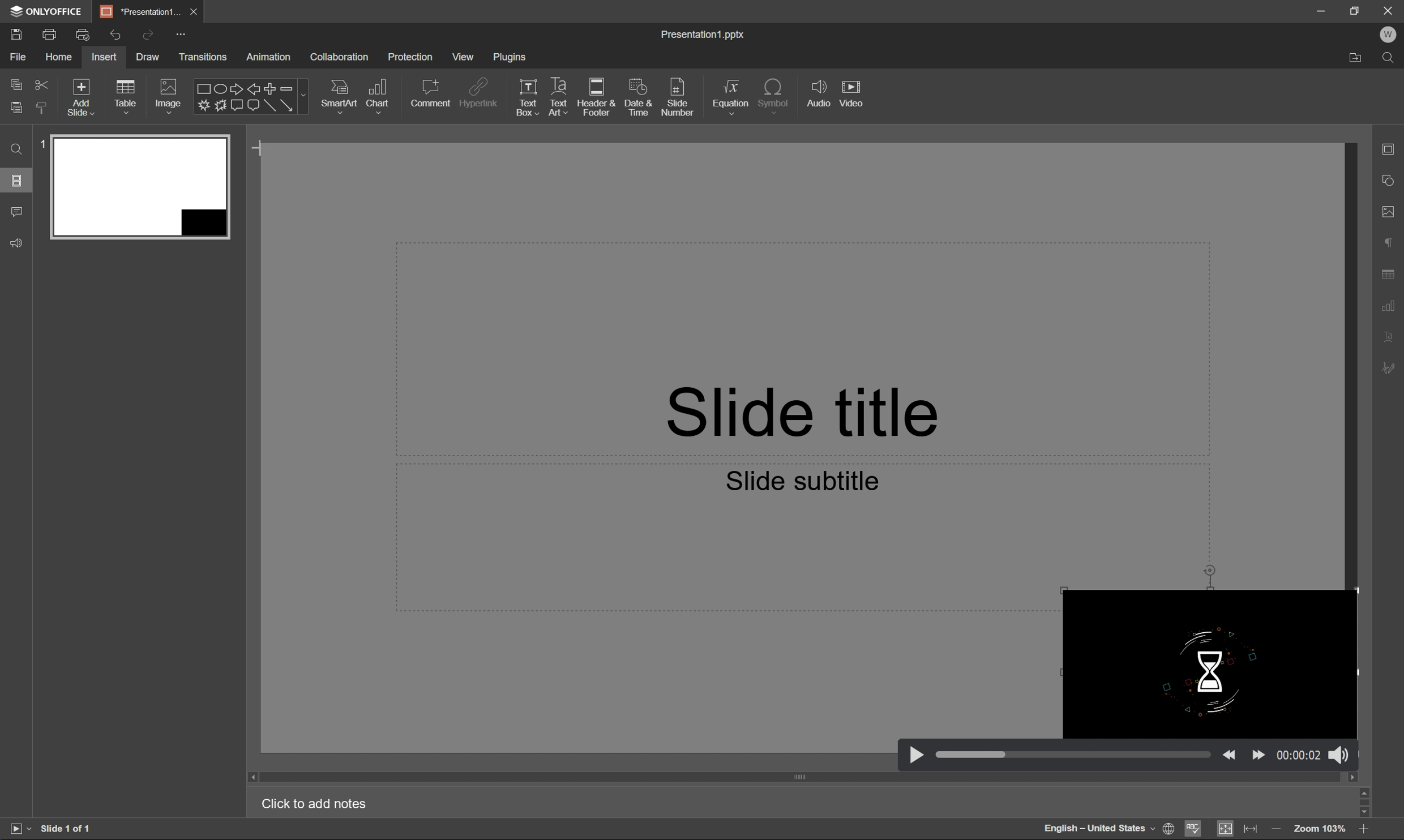  What do you see at coordinates (1389, 239) in the screenshot?
I see `paragraph settings` at bounding box center [1389, 239].